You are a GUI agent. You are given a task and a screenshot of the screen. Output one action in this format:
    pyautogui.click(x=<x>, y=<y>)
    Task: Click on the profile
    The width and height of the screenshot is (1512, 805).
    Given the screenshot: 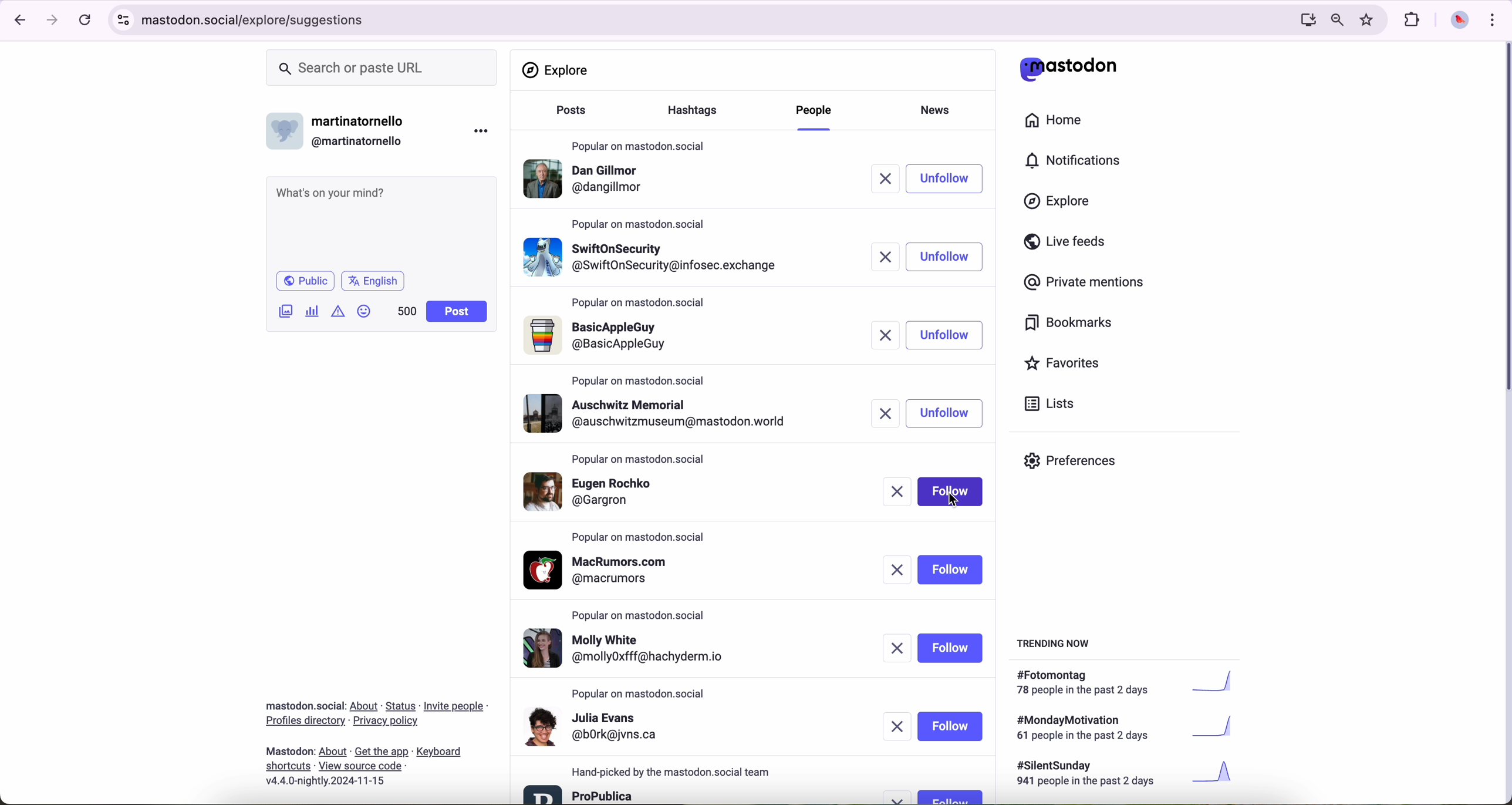 What is the action you would take?
    pyautogui.click(x=588, y=181)
    